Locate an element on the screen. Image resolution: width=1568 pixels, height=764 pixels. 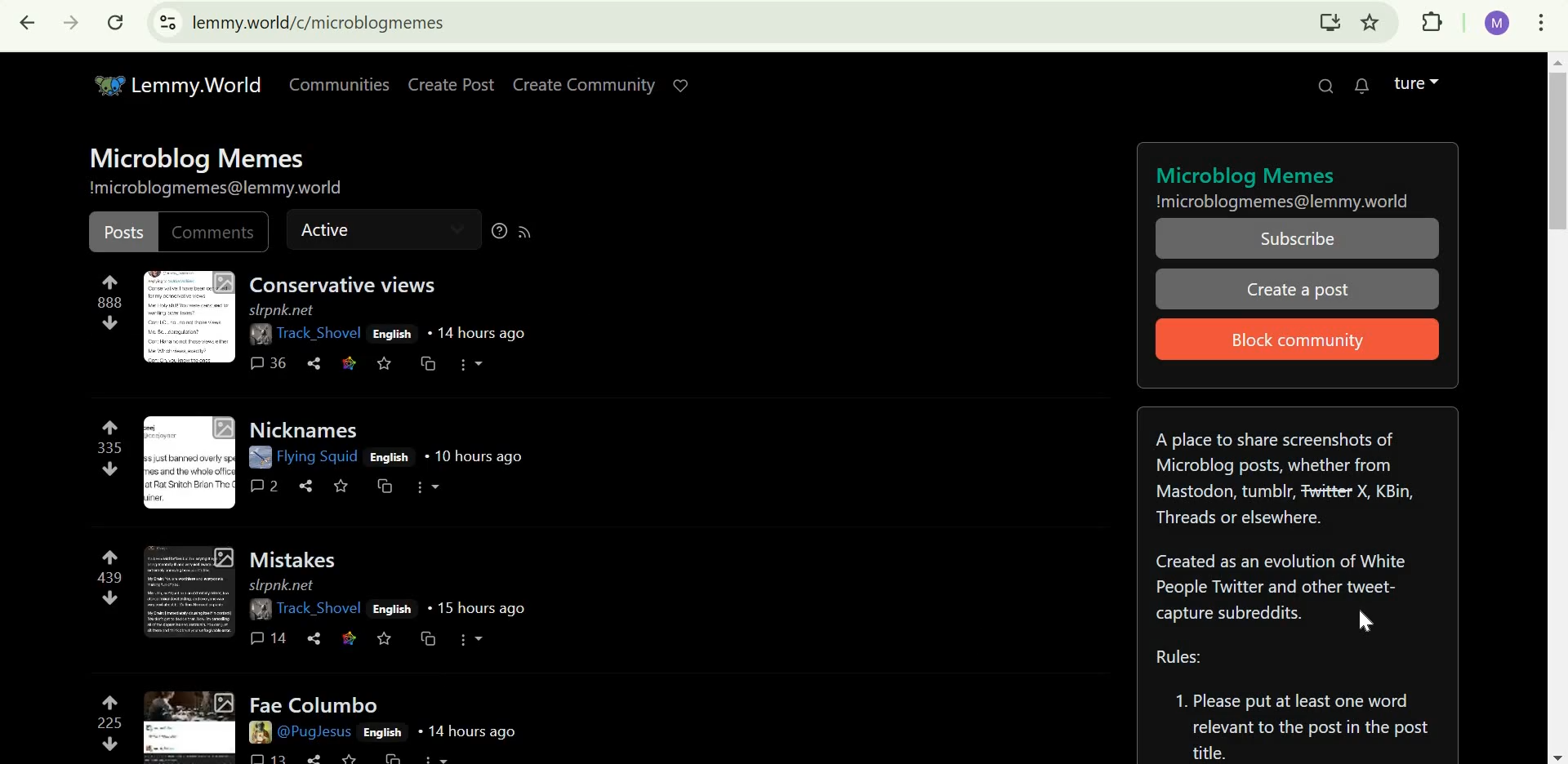
user ID is located at coordinates (318, 334).